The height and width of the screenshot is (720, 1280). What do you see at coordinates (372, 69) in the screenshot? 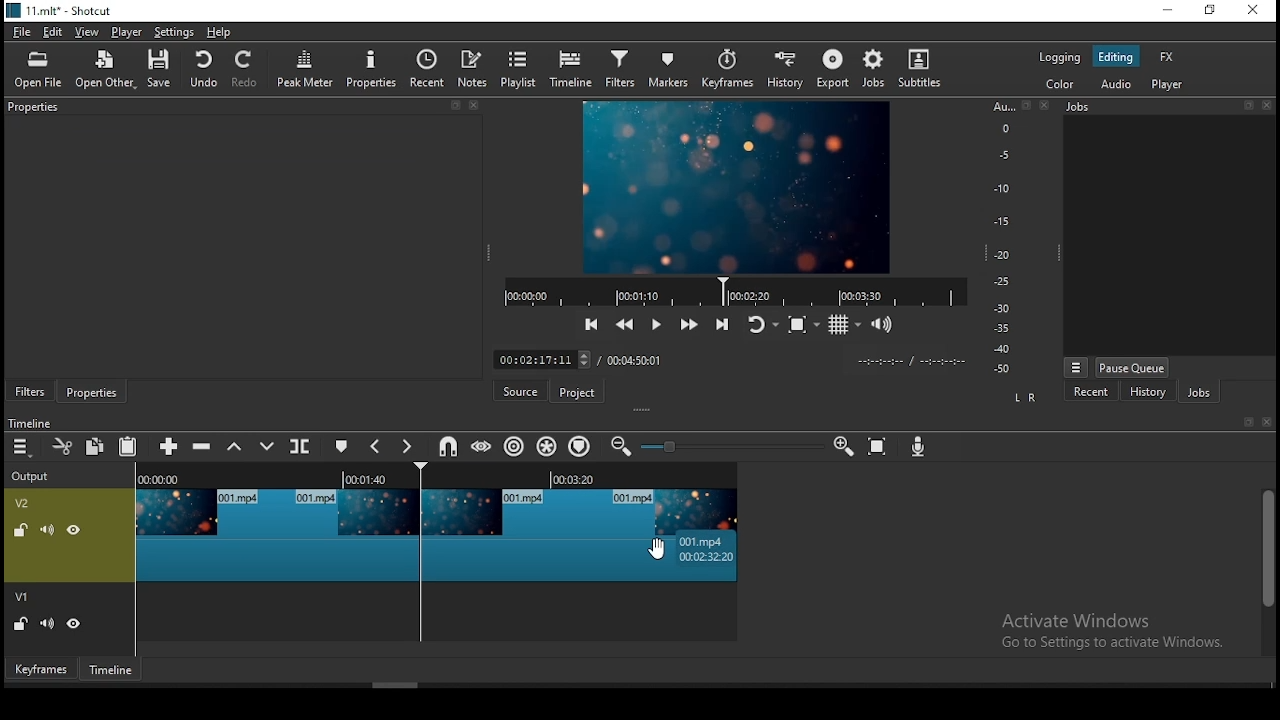
I see `properties` at bounding box center [372, 69].